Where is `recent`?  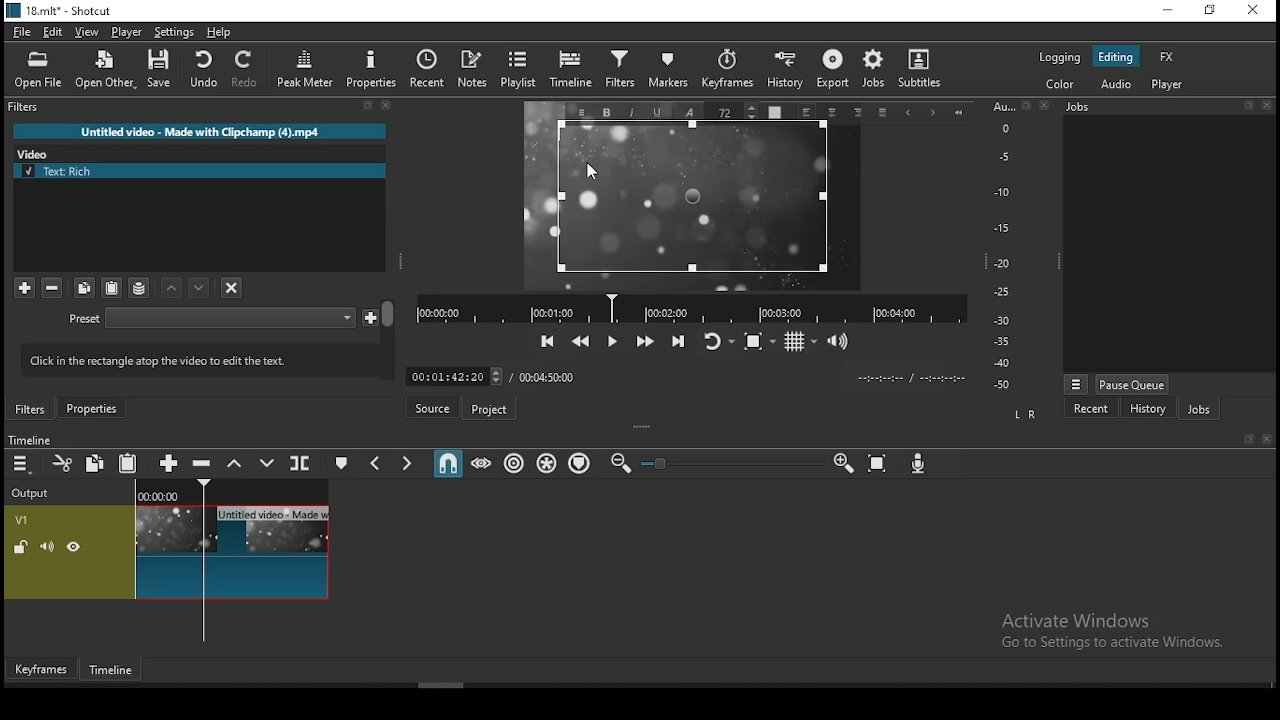 recent is located at coordinates (1092, 408).